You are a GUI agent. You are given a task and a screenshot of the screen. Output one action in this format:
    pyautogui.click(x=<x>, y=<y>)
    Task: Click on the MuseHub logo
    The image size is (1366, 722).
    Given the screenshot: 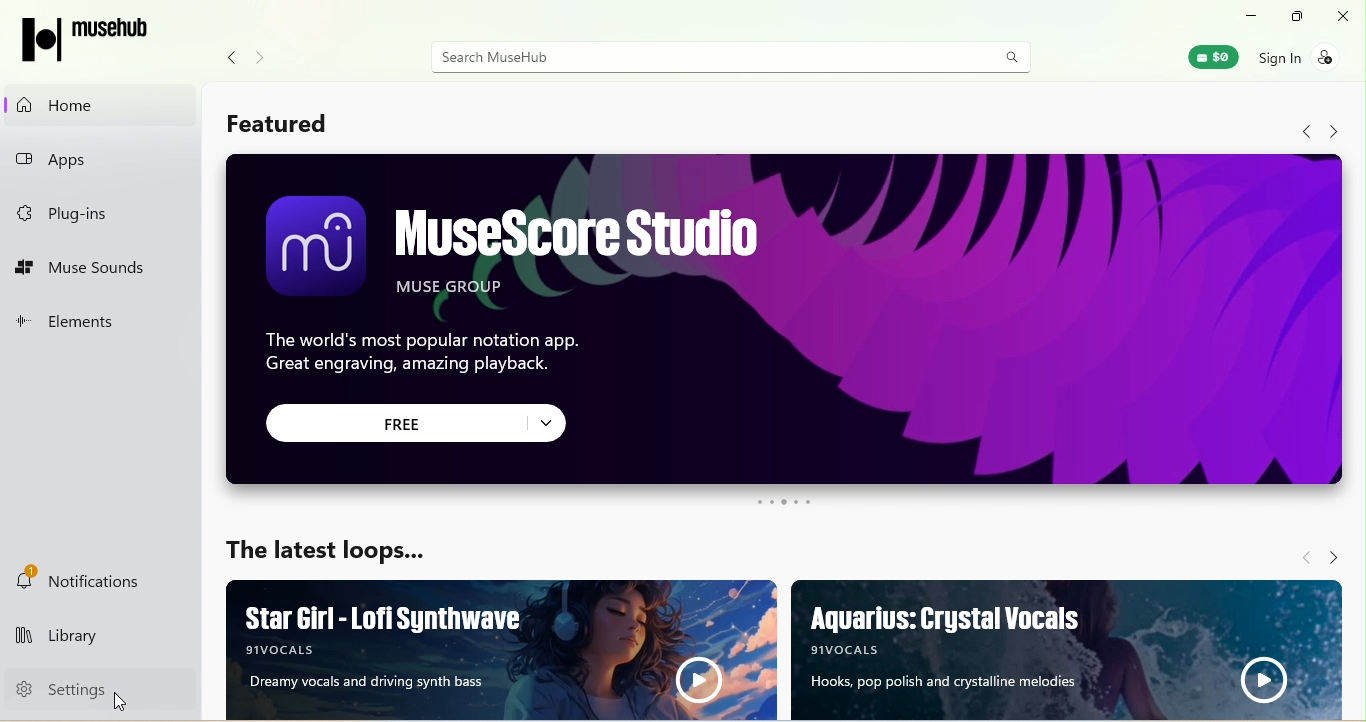 What is the action you would take?
    pyautogui.click(x=97, y=41)
    